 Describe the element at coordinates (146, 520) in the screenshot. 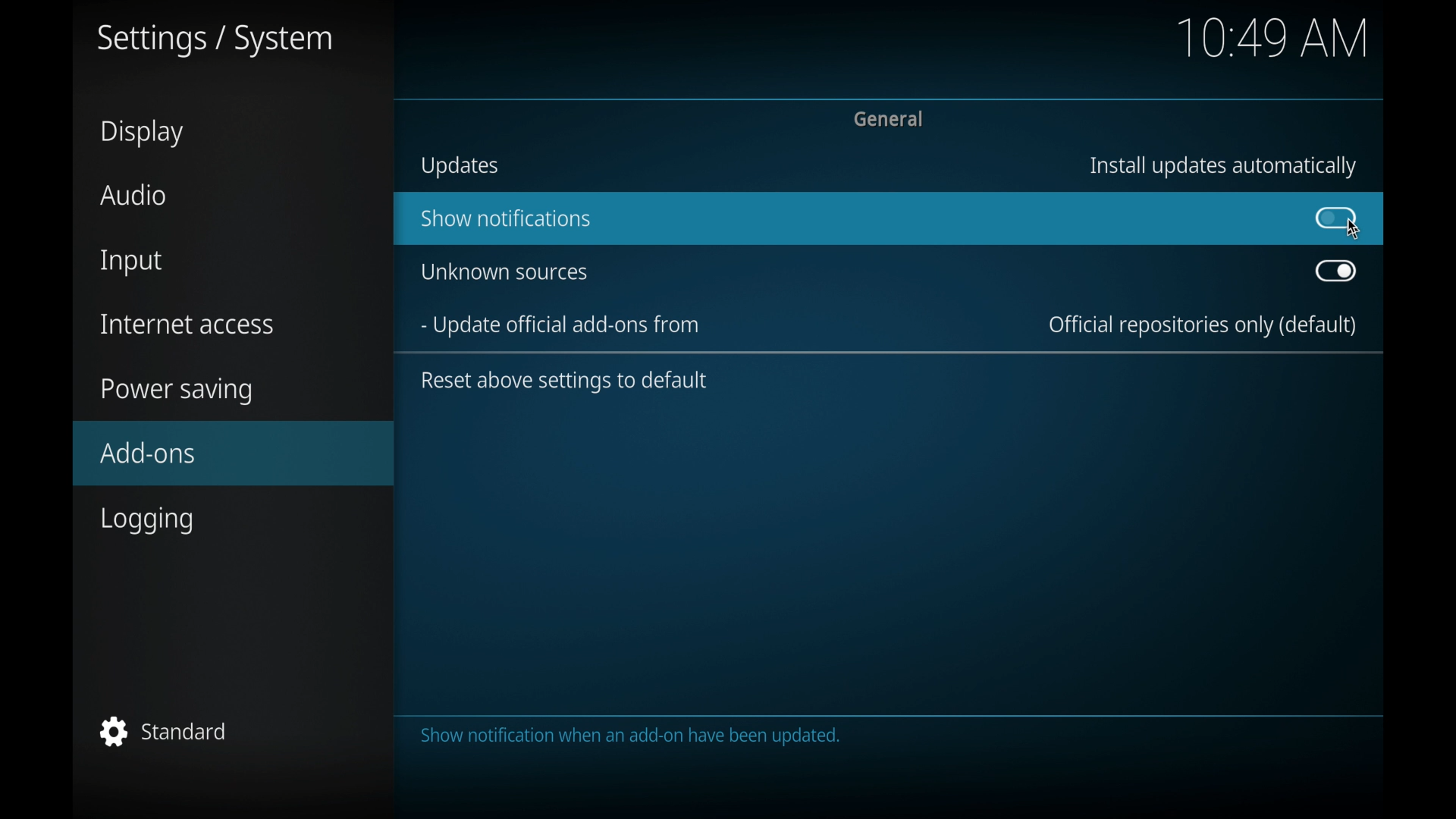

I see `logging` at that location.